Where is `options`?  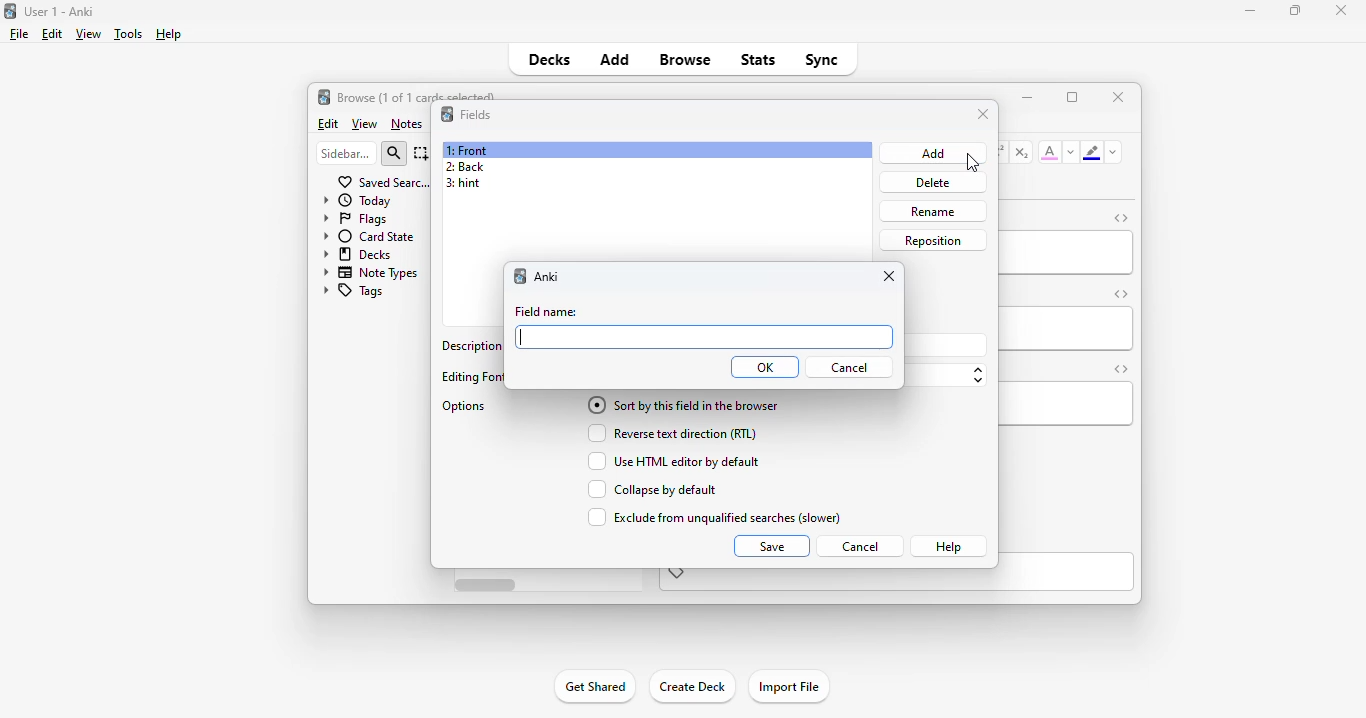
options is located at coordinates (466, 407).